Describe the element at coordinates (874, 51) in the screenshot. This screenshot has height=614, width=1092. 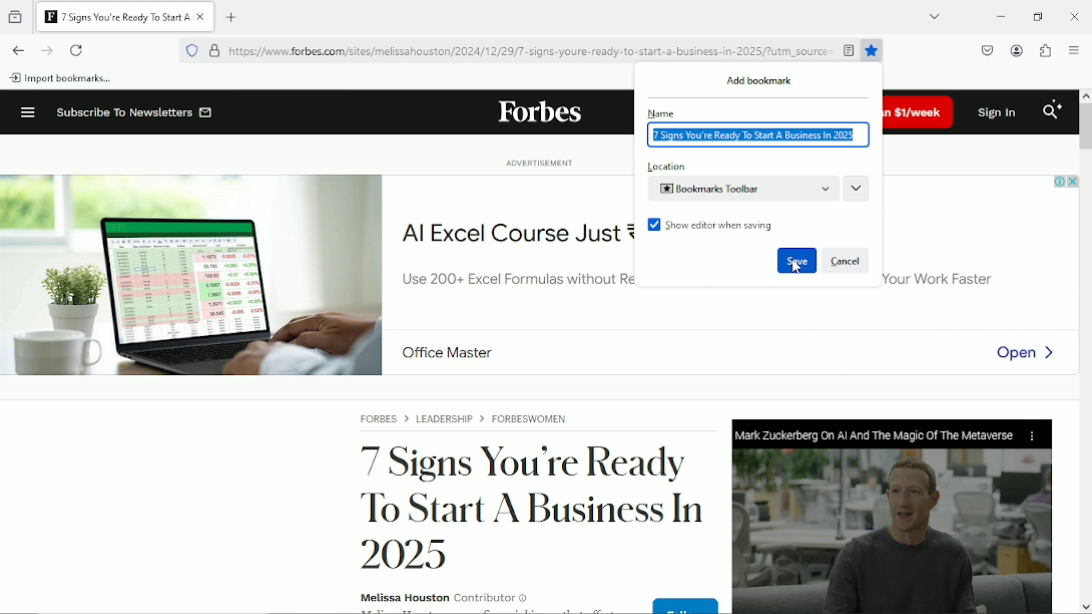
I see `Bookmark this page` at that location.